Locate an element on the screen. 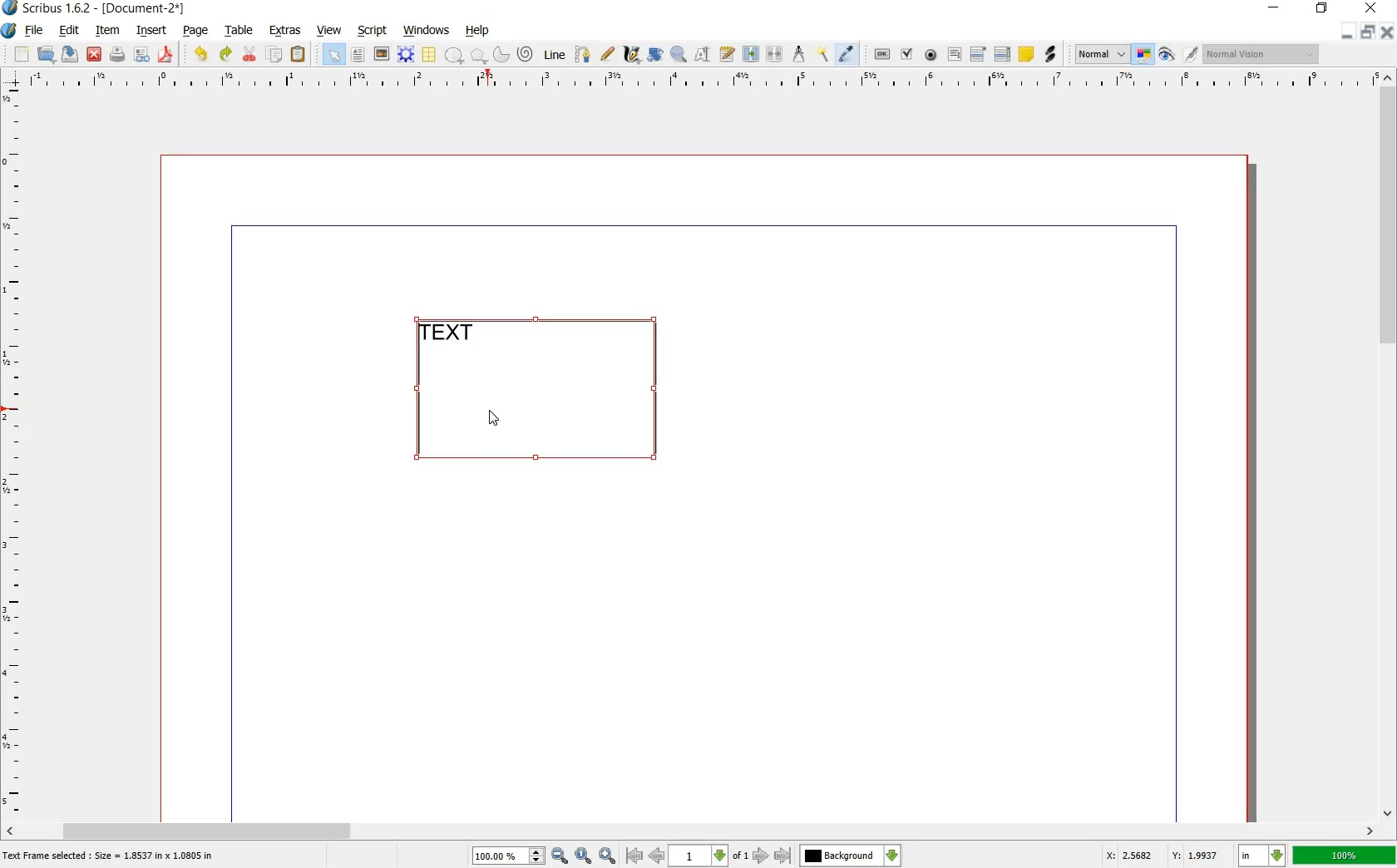 Image resolution: width=1397 pixels, height=868 pixels. Background is located at coordinates (851, 856).